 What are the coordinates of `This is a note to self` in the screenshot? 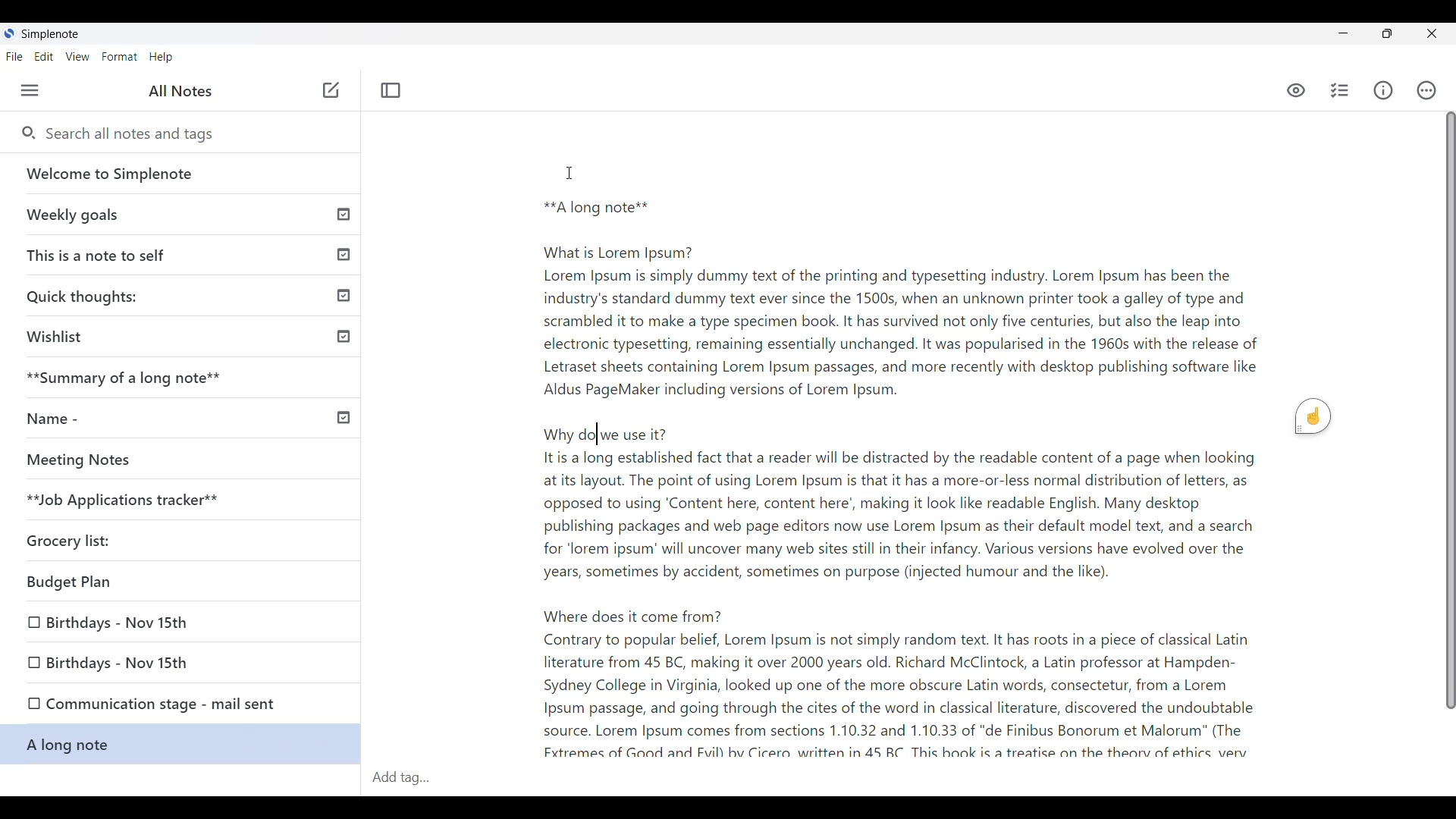 It's located at (184, 252).